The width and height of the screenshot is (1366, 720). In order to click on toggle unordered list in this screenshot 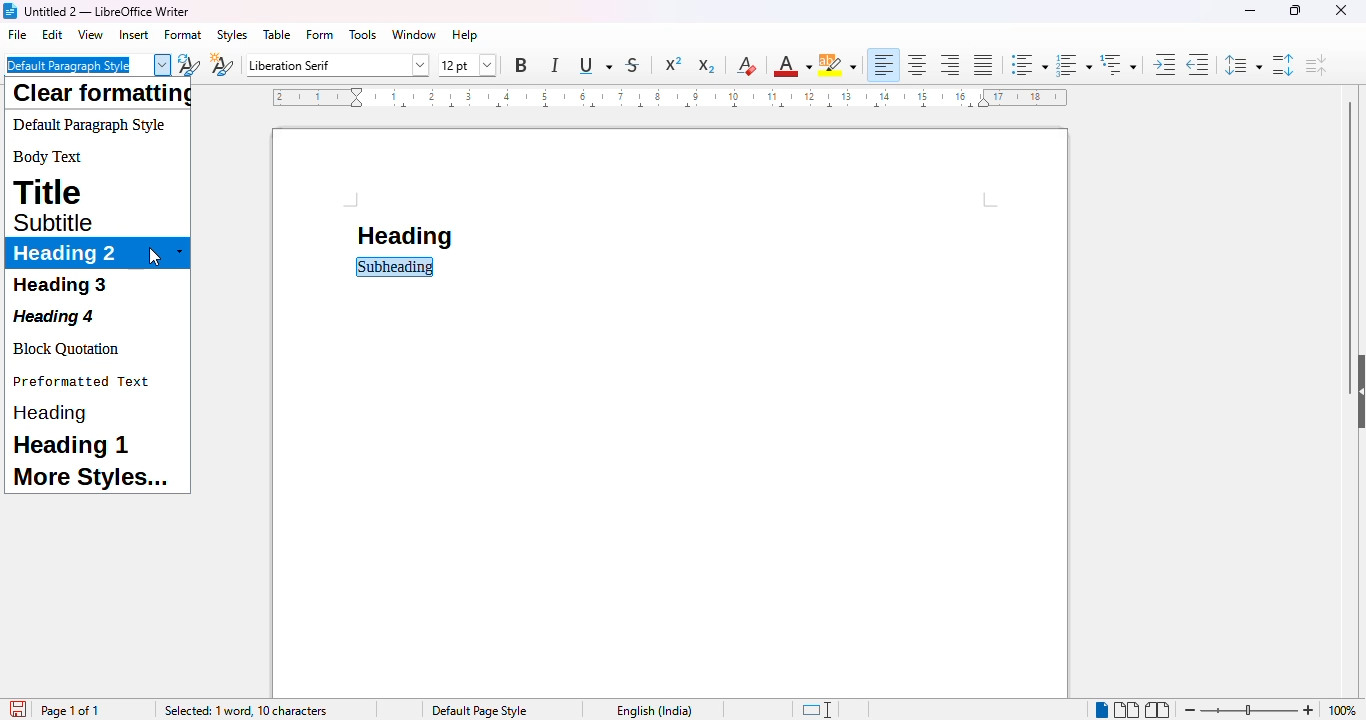, I will do `click(1030, 65)`.